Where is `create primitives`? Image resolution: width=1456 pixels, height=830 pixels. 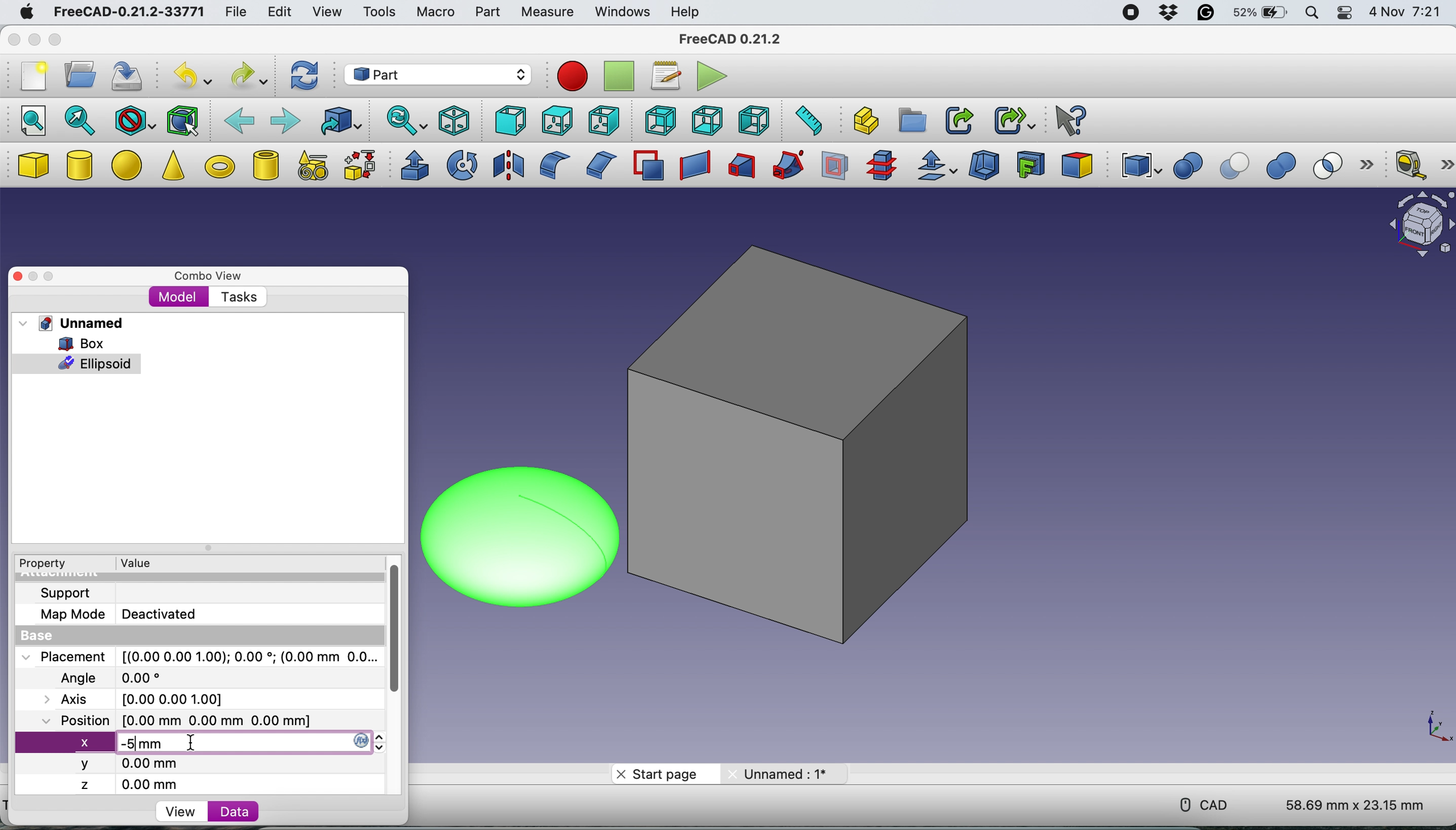 create primitives is located at coordinates (309, 166).